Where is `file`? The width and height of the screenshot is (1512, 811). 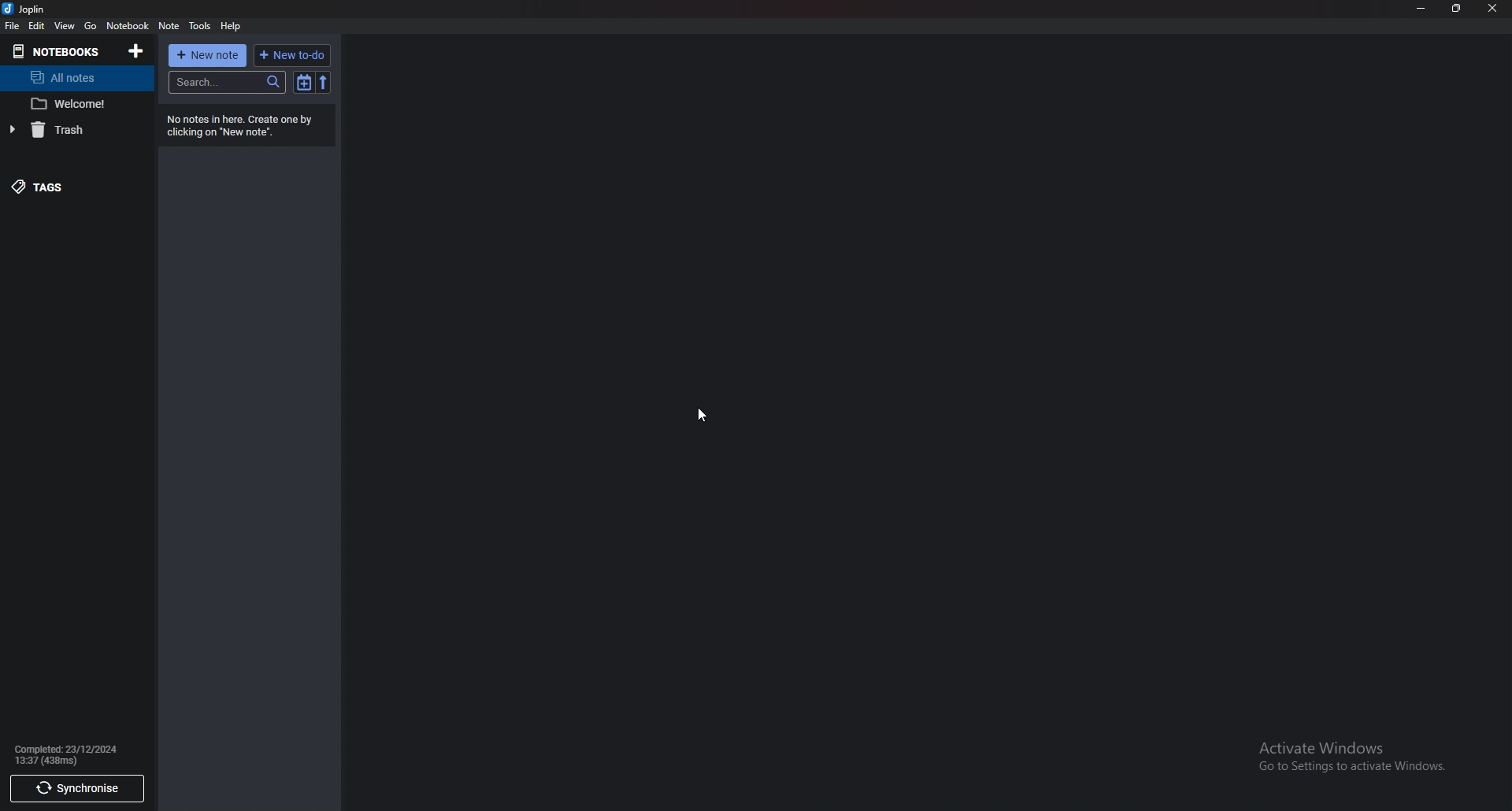 file is located at coordinates (12, 27).